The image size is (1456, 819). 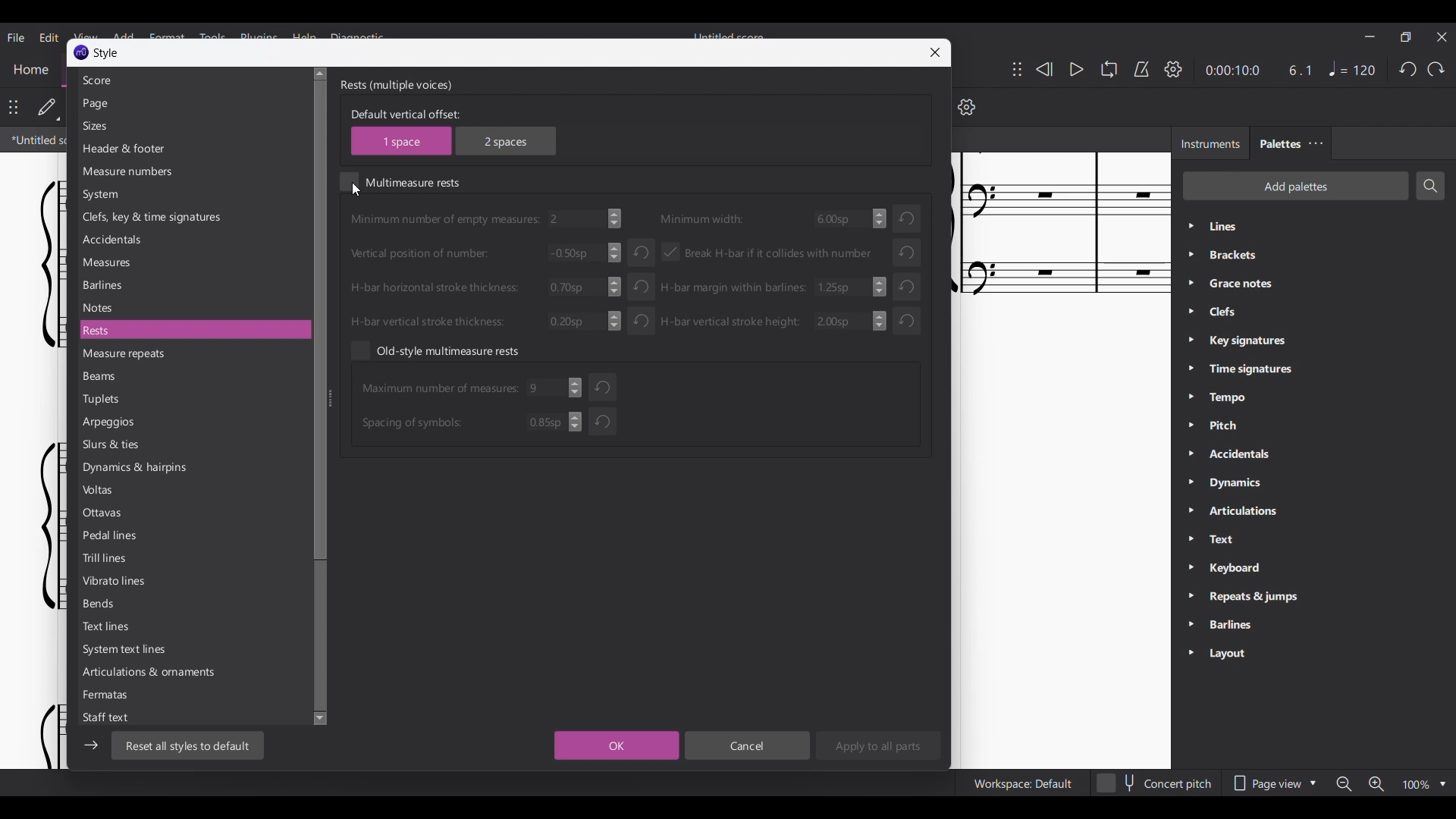 I want to click on Pedal lines, so click(x=192, y=535).